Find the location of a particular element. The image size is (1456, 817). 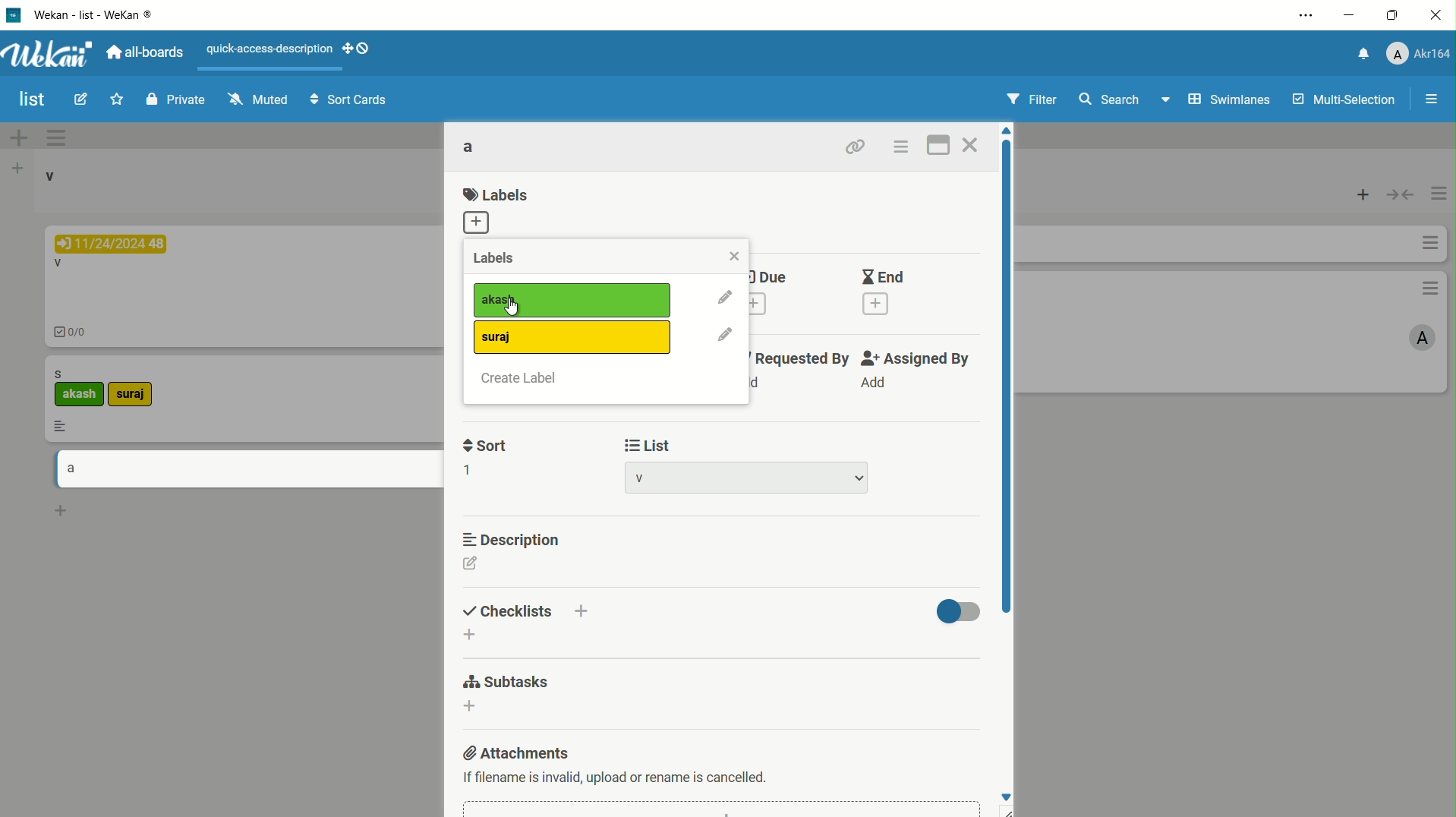

add due date is located at coordinates (756, 304).